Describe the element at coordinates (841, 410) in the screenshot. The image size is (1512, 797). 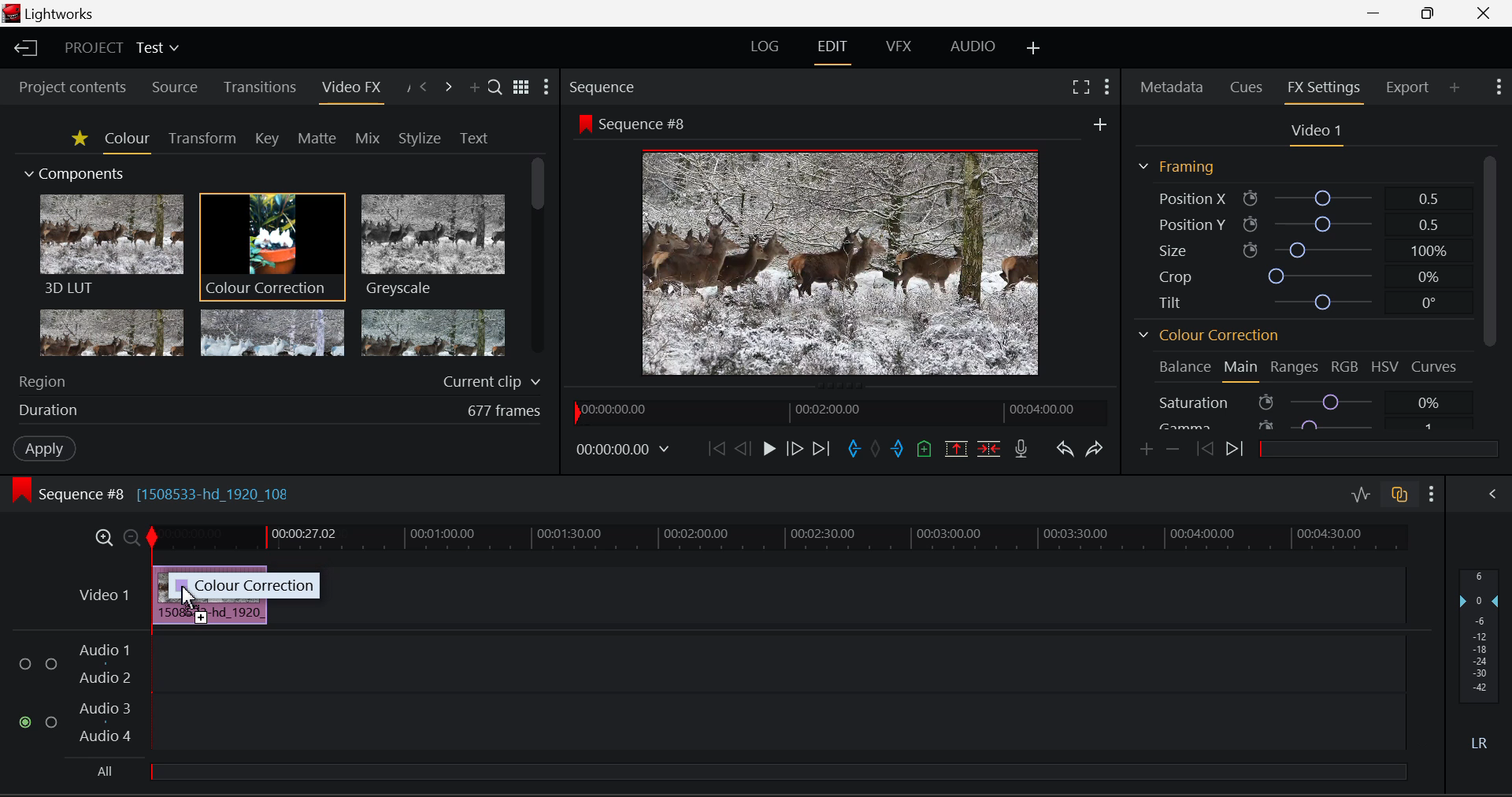
I see `Project Timeline Navigator` at that location.